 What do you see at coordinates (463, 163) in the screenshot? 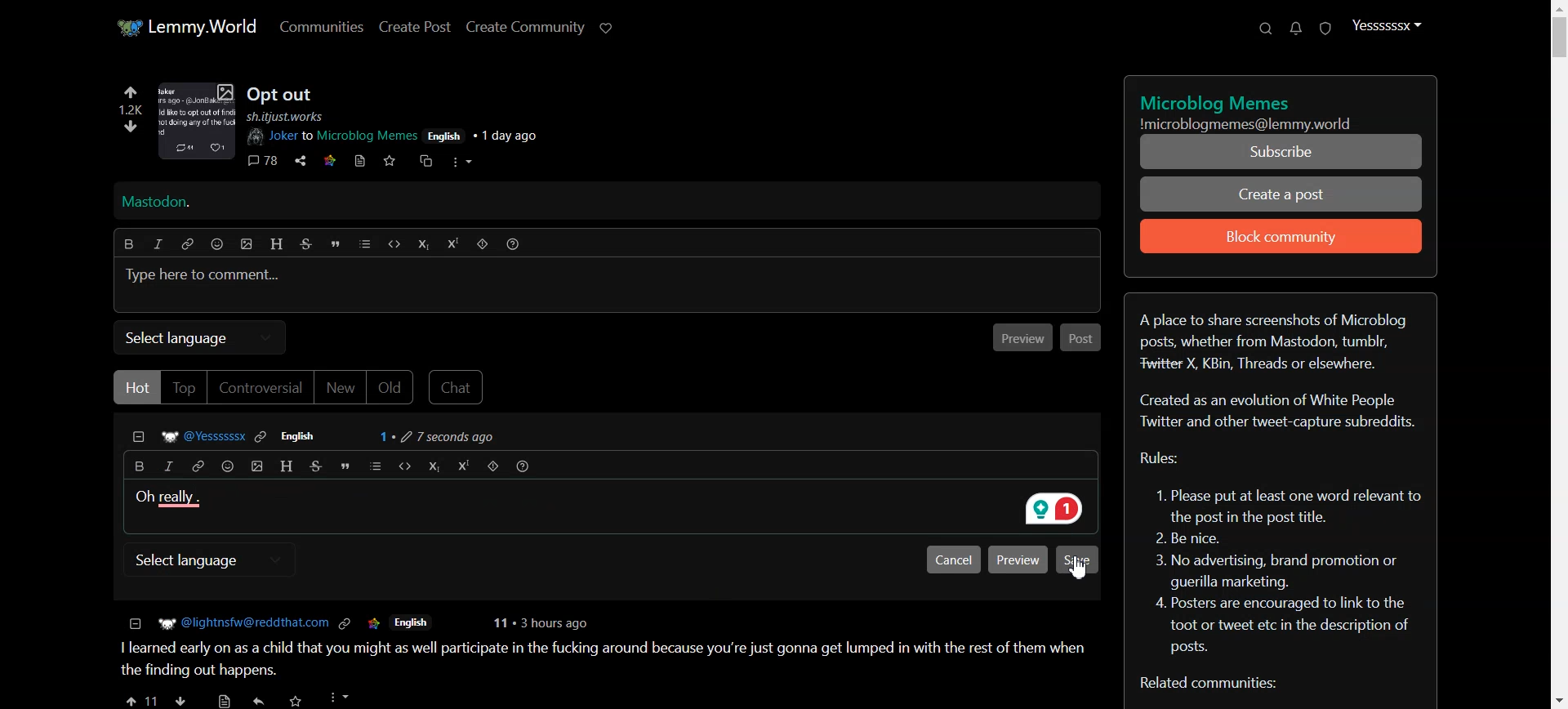
I see `more` at bounding box center [463, 163].